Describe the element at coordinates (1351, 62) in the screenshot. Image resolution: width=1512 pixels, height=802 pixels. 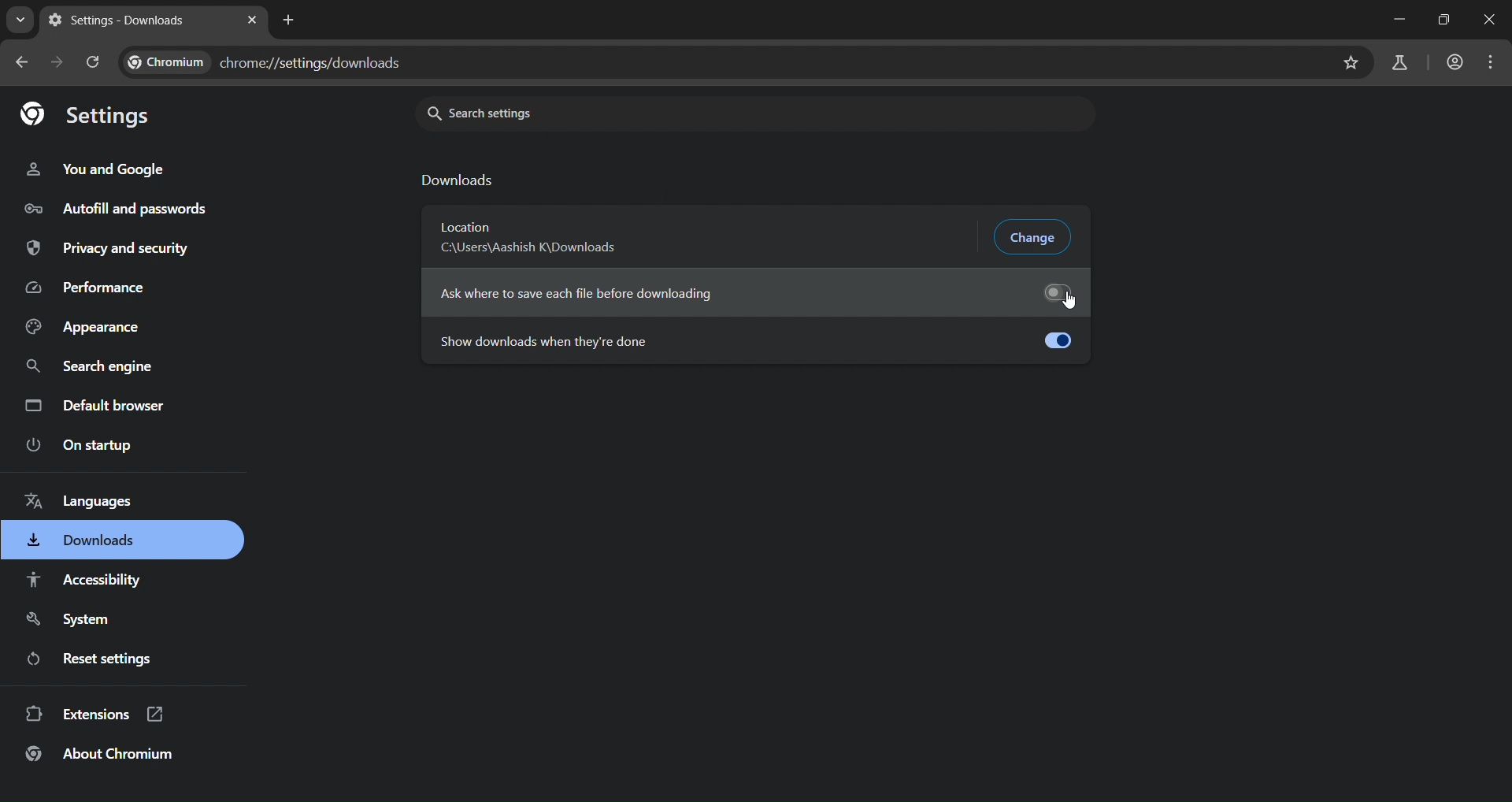
I see `bookmark page` at that location.